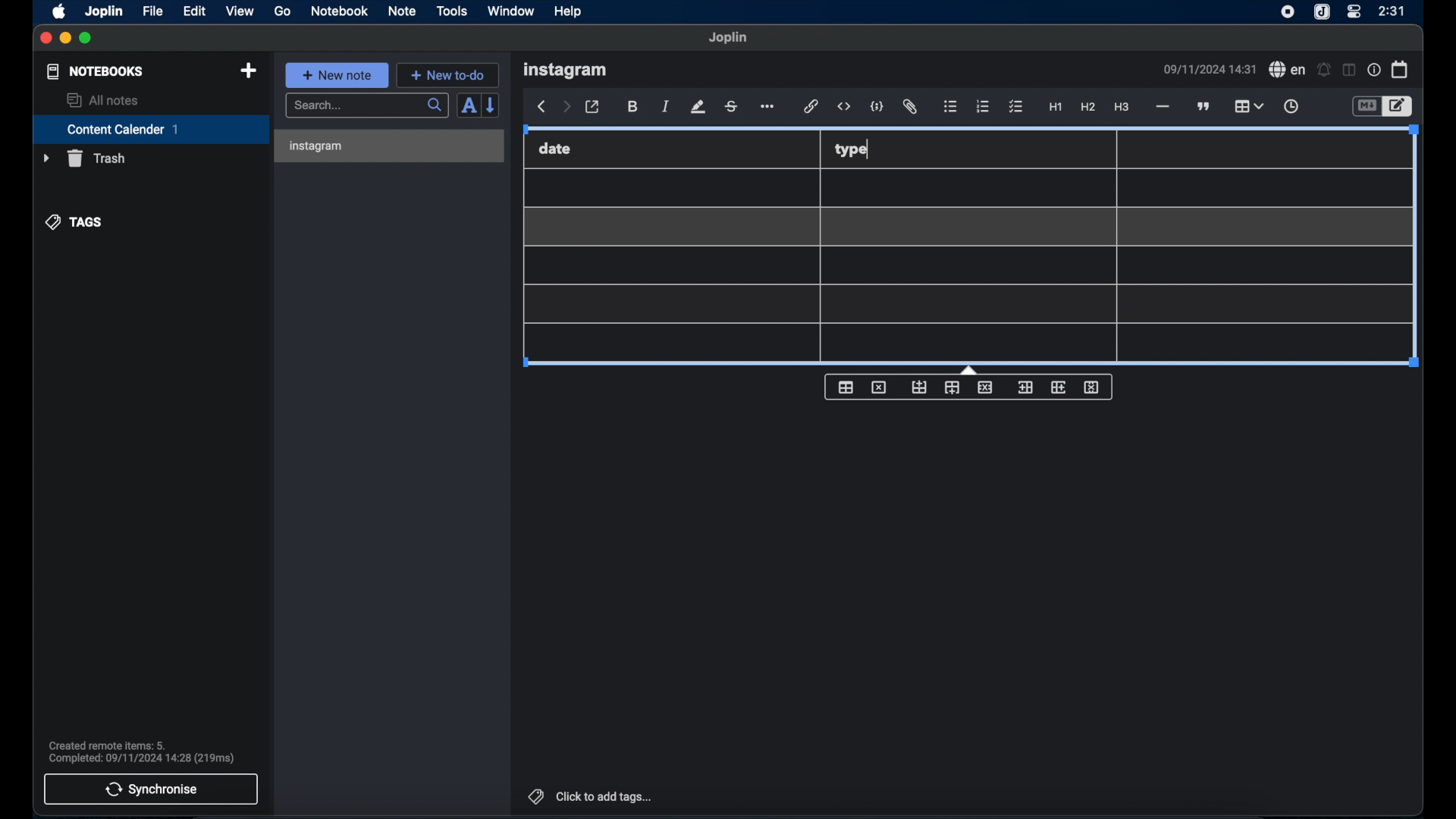  I want to click on new to-do, so click(447, 75).